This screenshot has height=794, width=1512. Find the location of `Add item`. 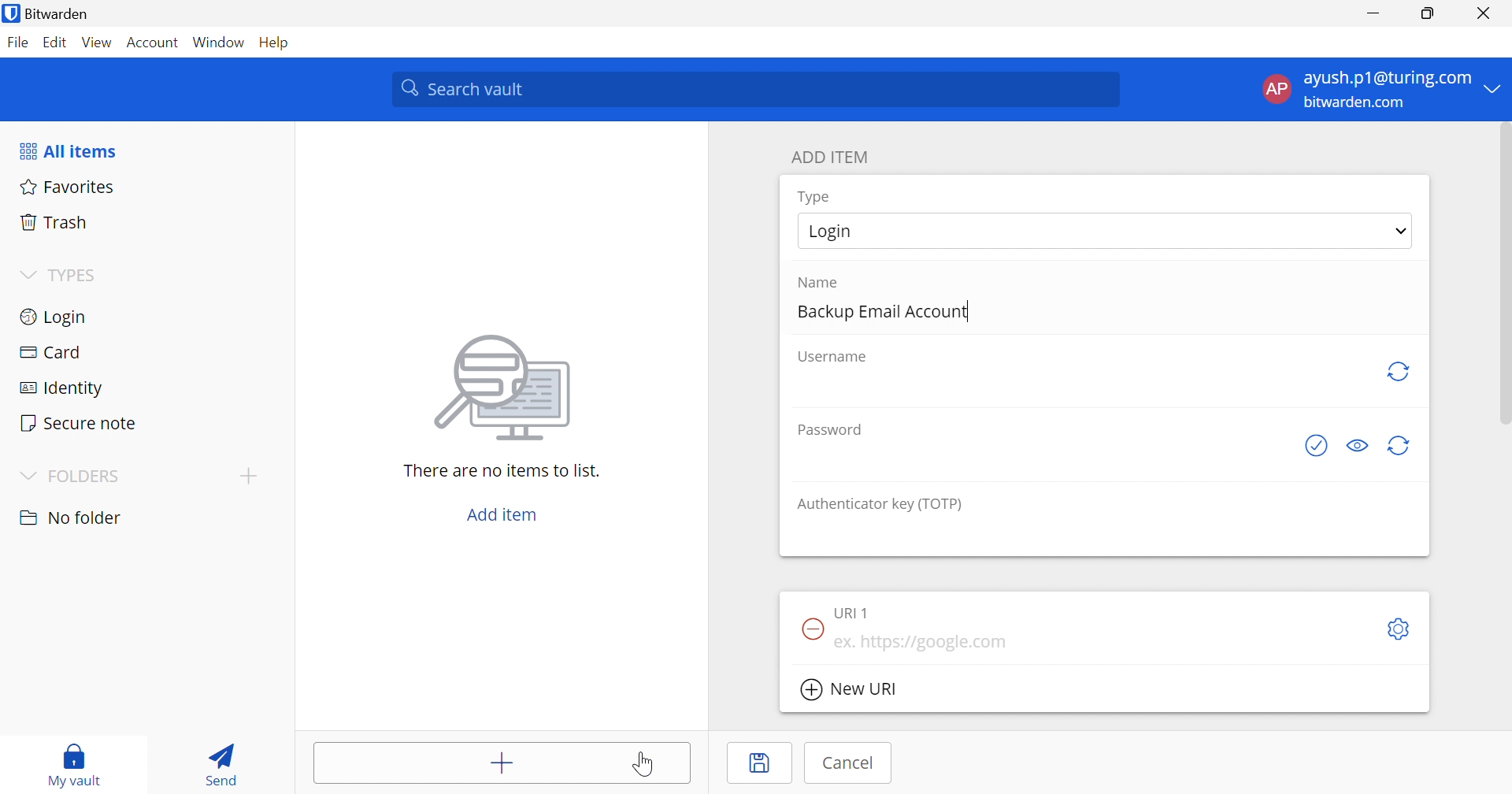

Add item is located at coordinates (500, 760).